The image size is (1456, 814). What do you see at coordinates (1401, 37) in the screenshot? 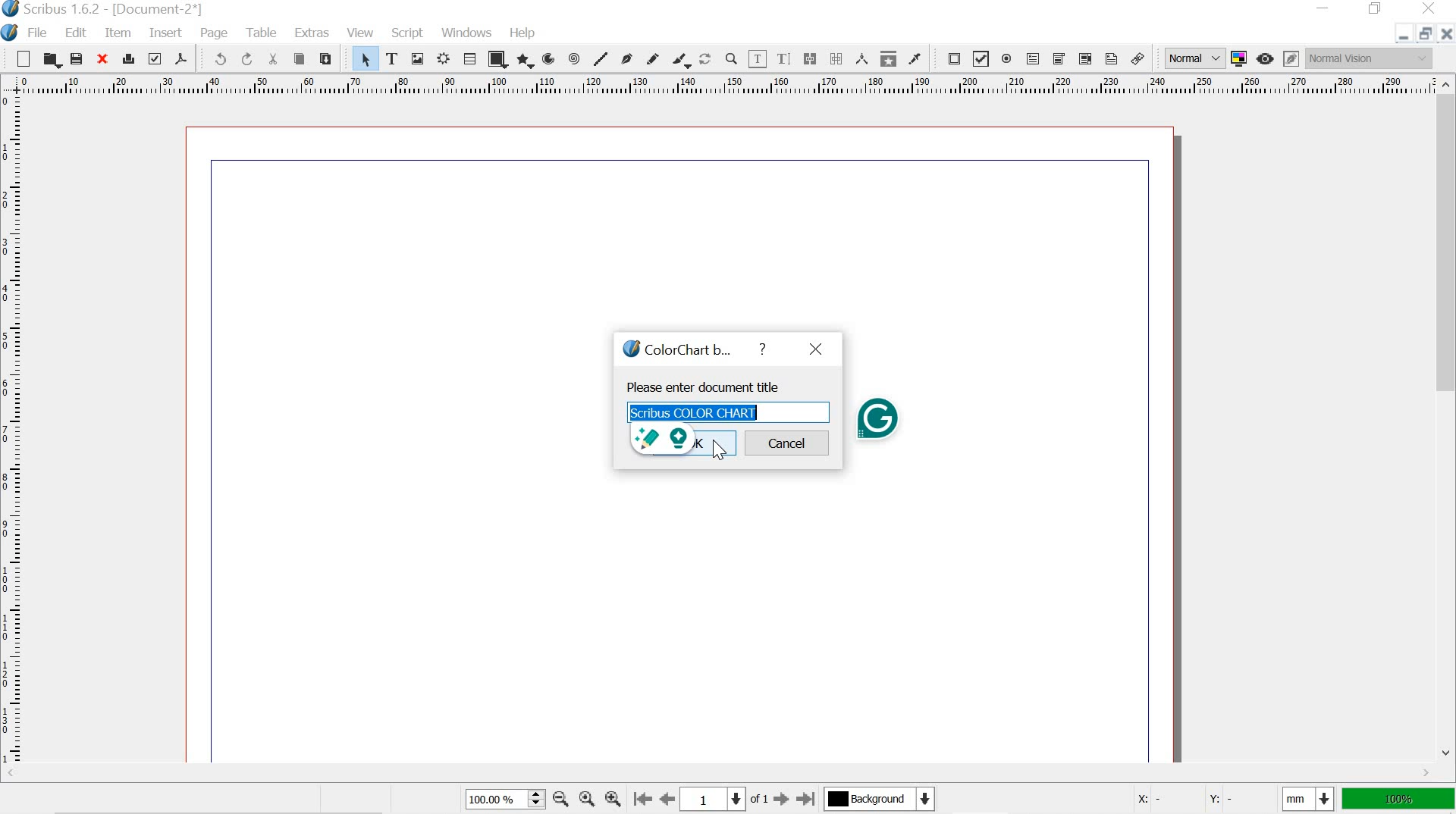
I see `minimize` at bounding box center [1401, 37].